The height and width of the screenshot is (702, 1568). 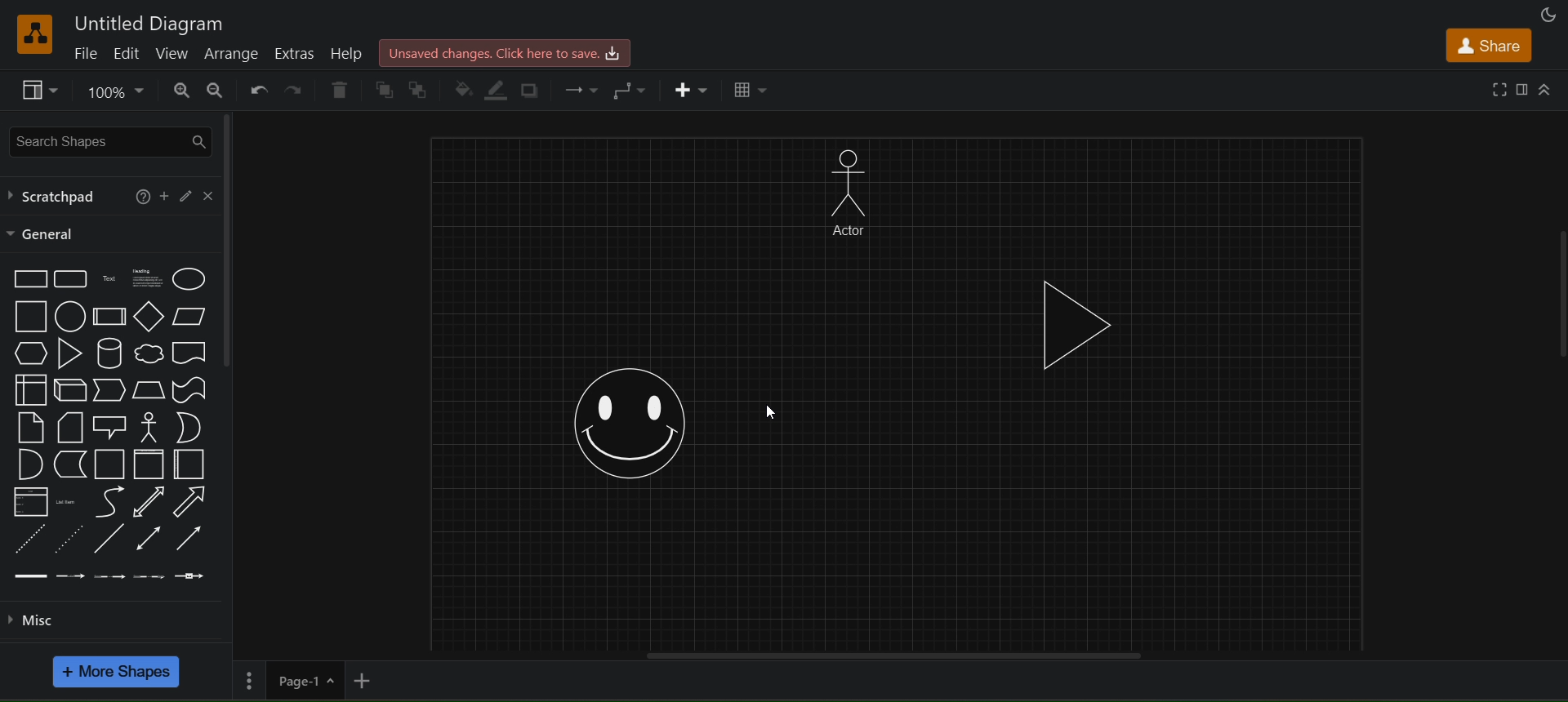 What do you see at coordinates (367, 681) in the screenshot?
I see `add new page` at bounding box center [367, 681].